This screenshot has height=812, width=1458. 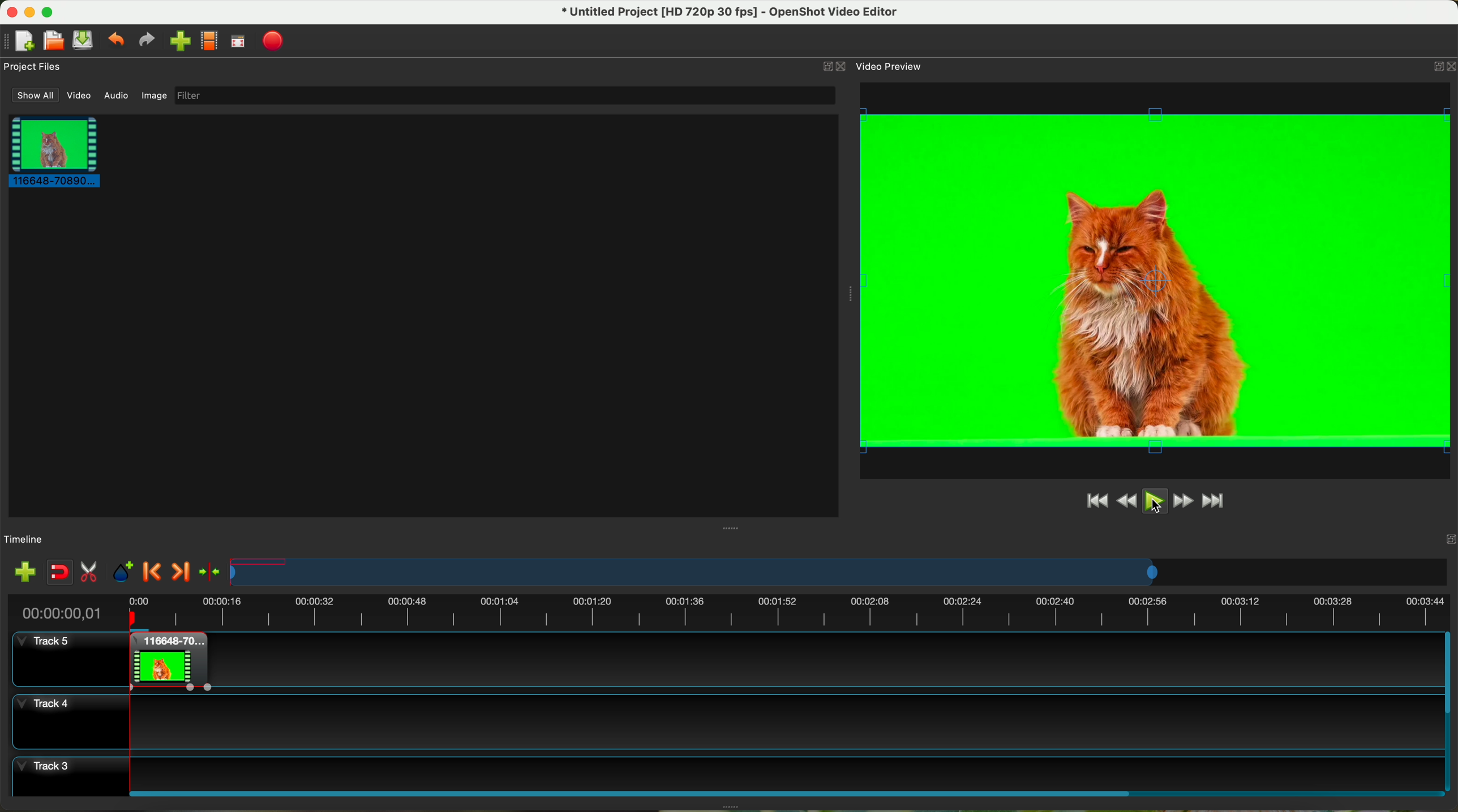 I want to click on center the timeline on the playhead, so click(x=211, y=573).